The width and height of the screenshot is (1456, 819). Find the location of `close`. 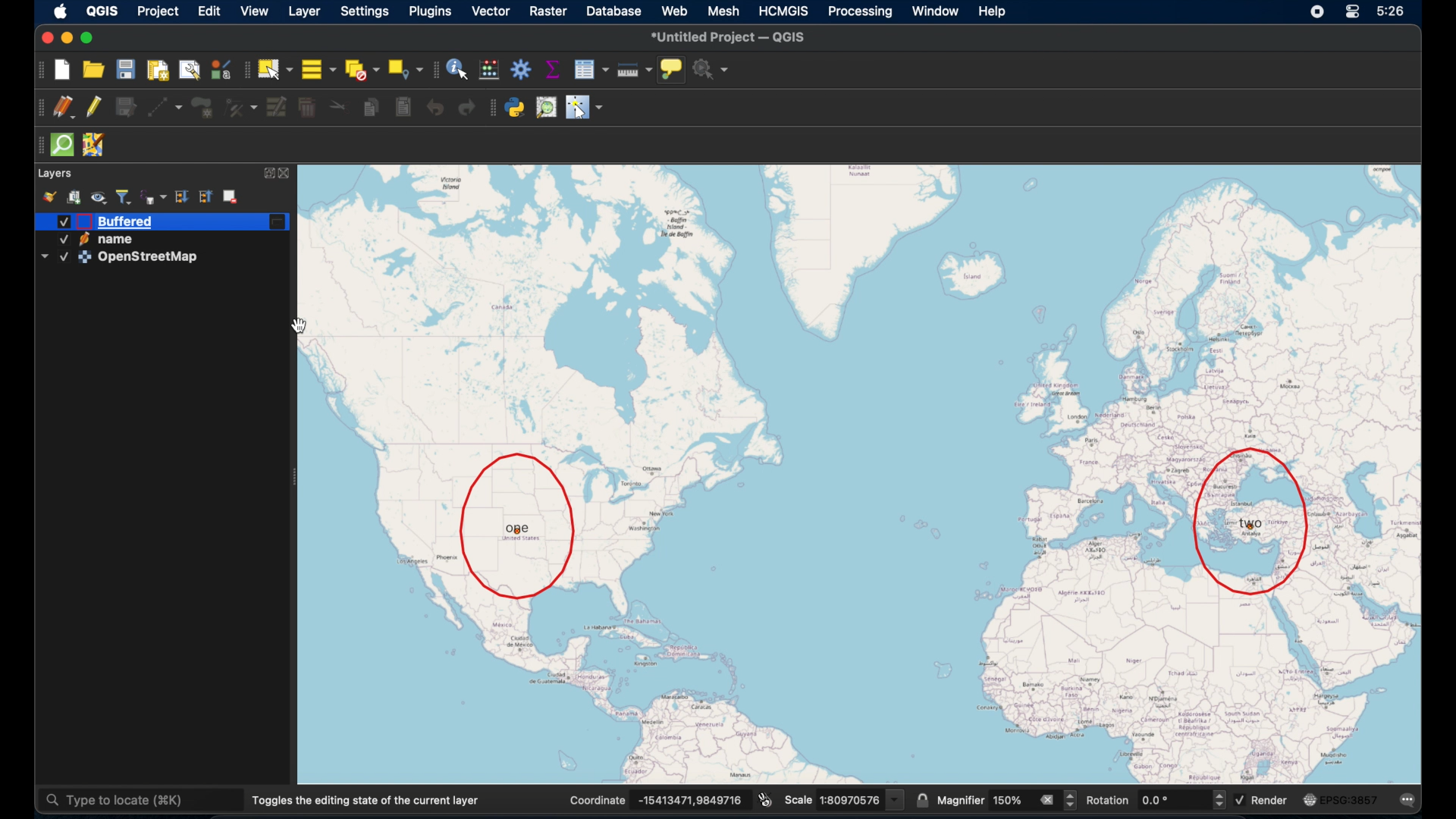

close is located at coordinates (289, 173).